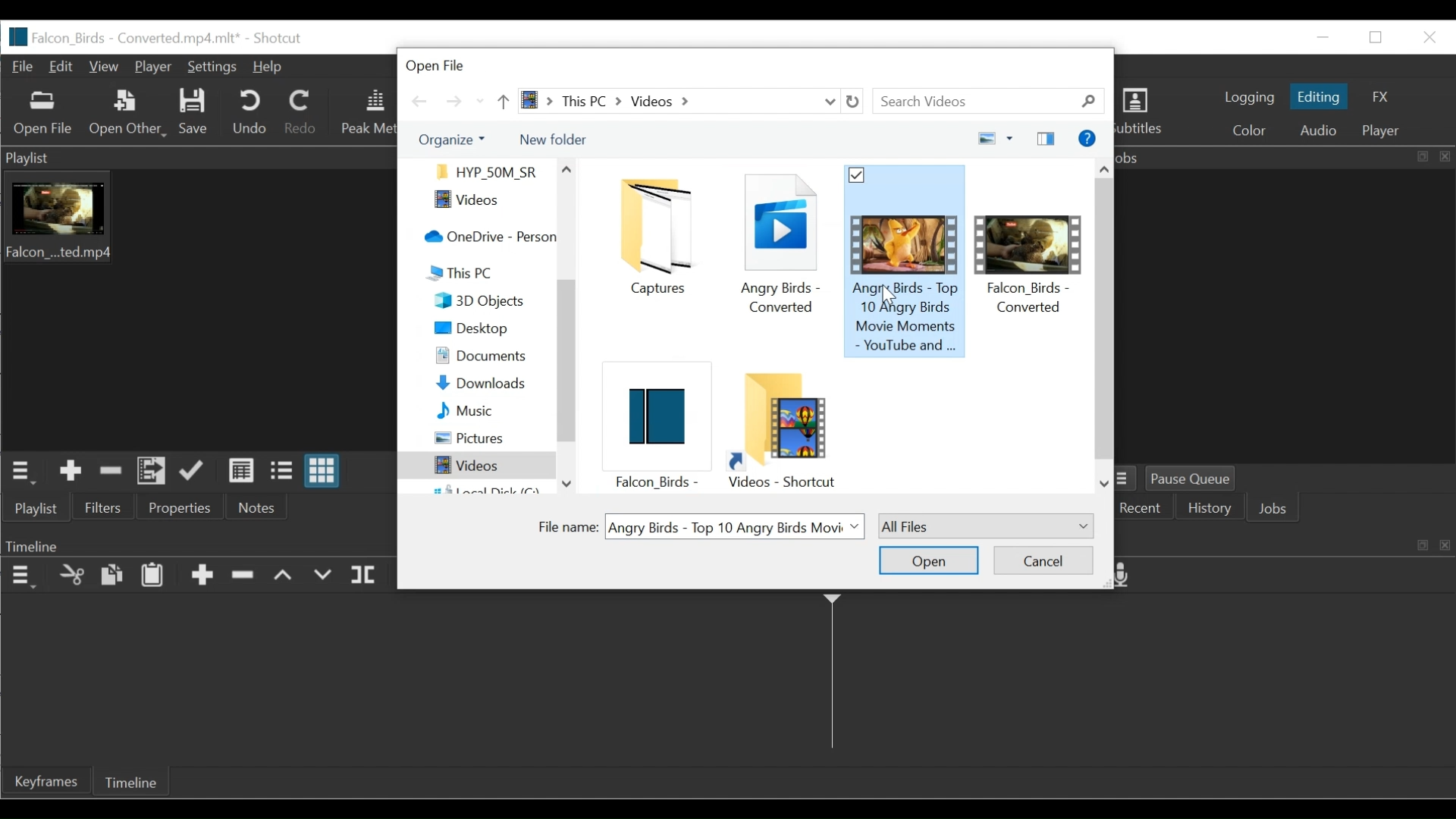 Image resolution: width=1456 pixels, height=819 pixels. I want to click on This PC, so click(491, 271).